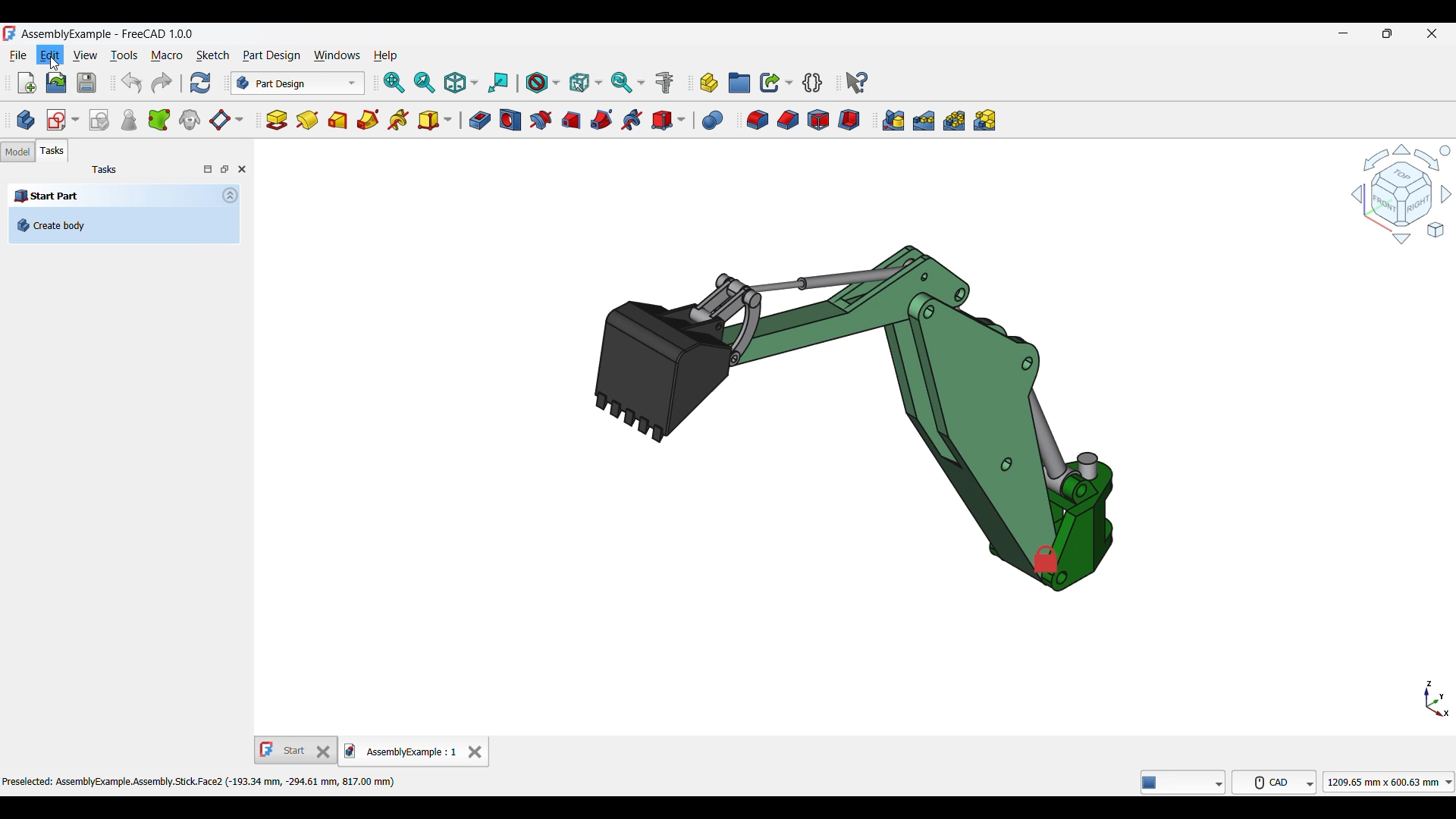  I want to click on Align to selection, so click(498, 83).